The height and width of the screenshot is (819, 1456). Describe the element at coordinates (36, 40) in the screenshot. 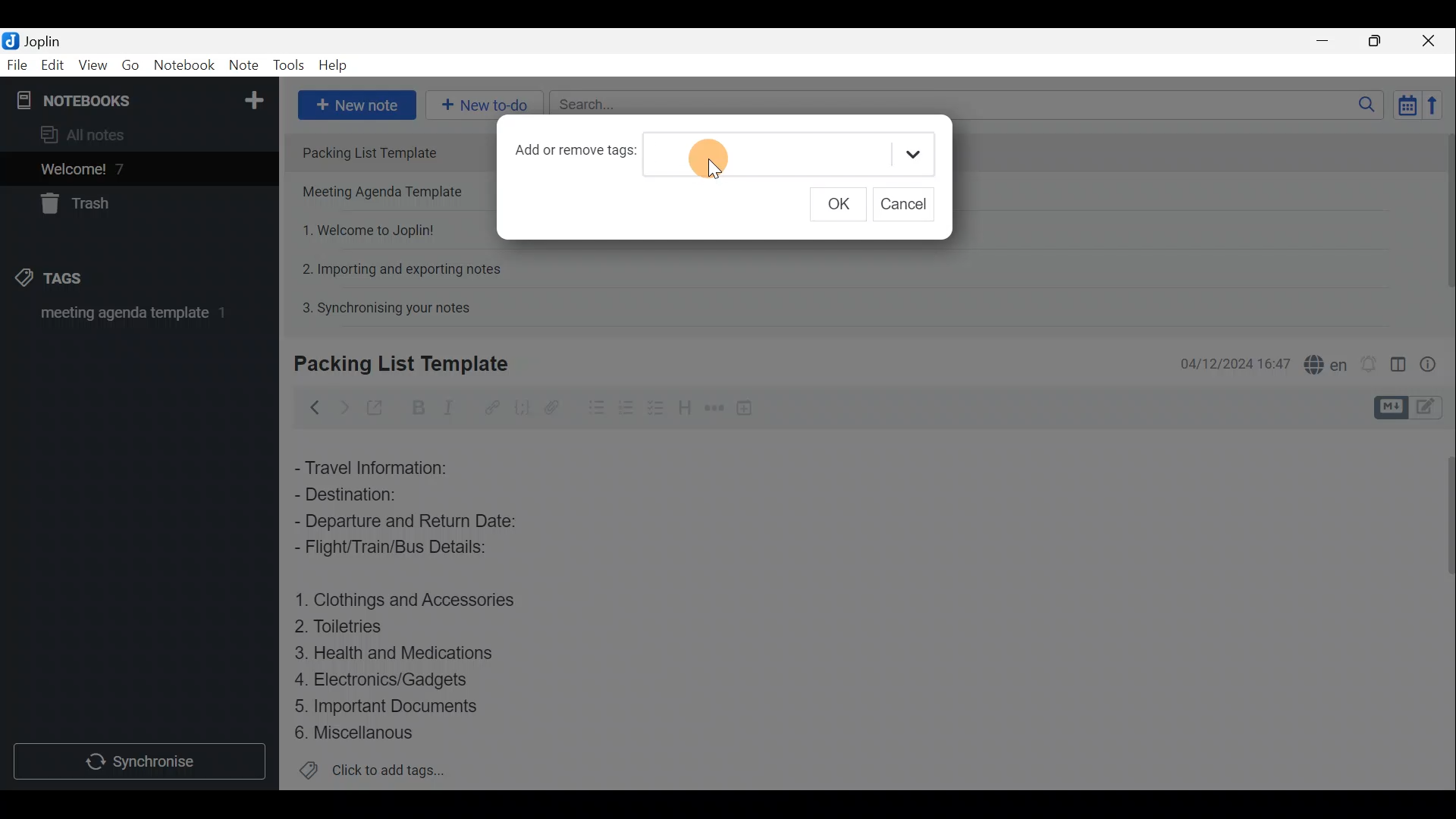

I see `Joplin` at that location.